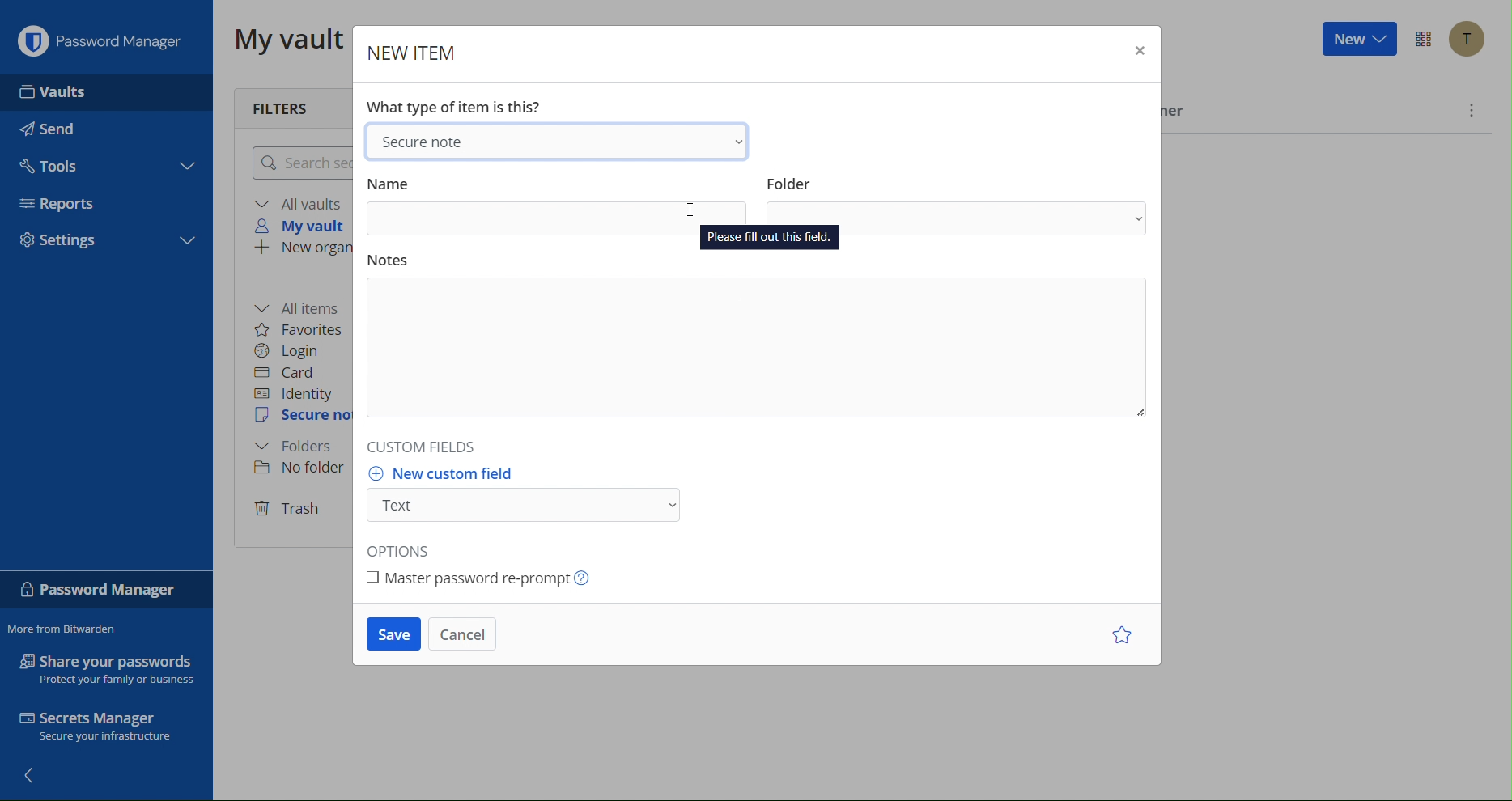  What do you see at coordinates (55, 165) in the screenshot?
I see `Tools` at bounding box center [55, 165].